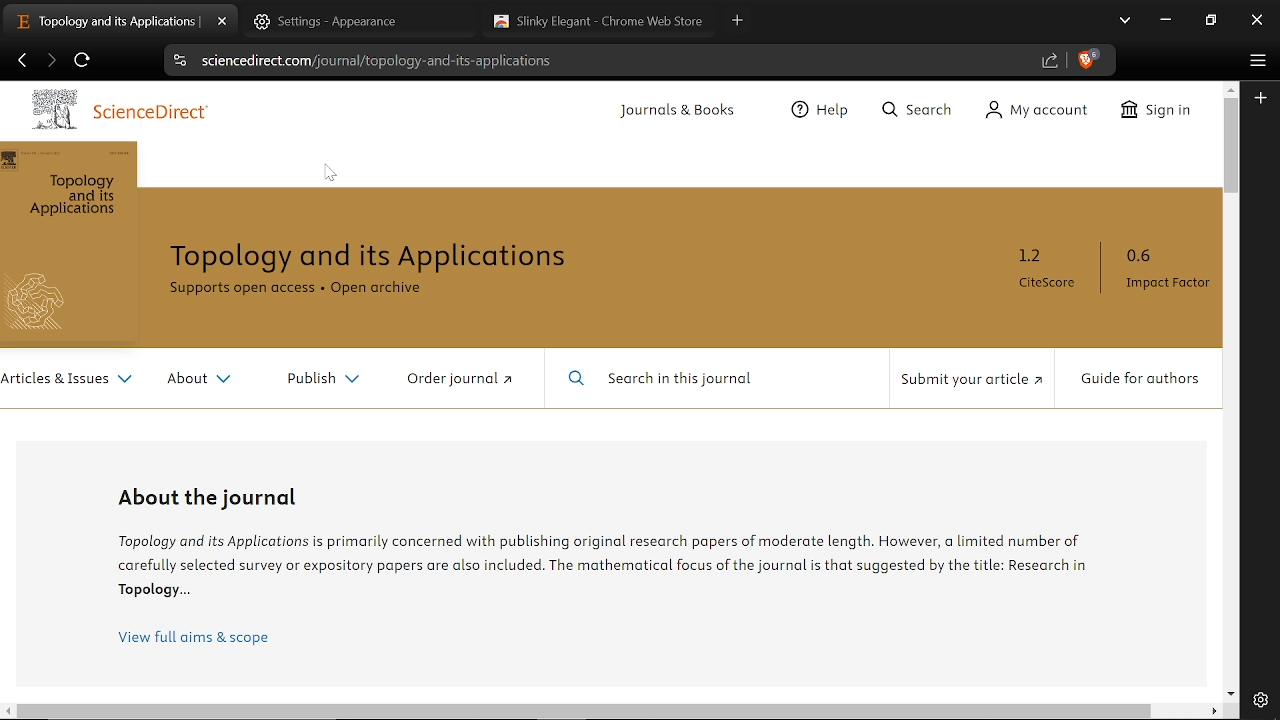 The image size is (1280, 720). What do you see at coordinates (22, 62) in the screenshot?
I see `Previous page` at bounding box center [22, 62].